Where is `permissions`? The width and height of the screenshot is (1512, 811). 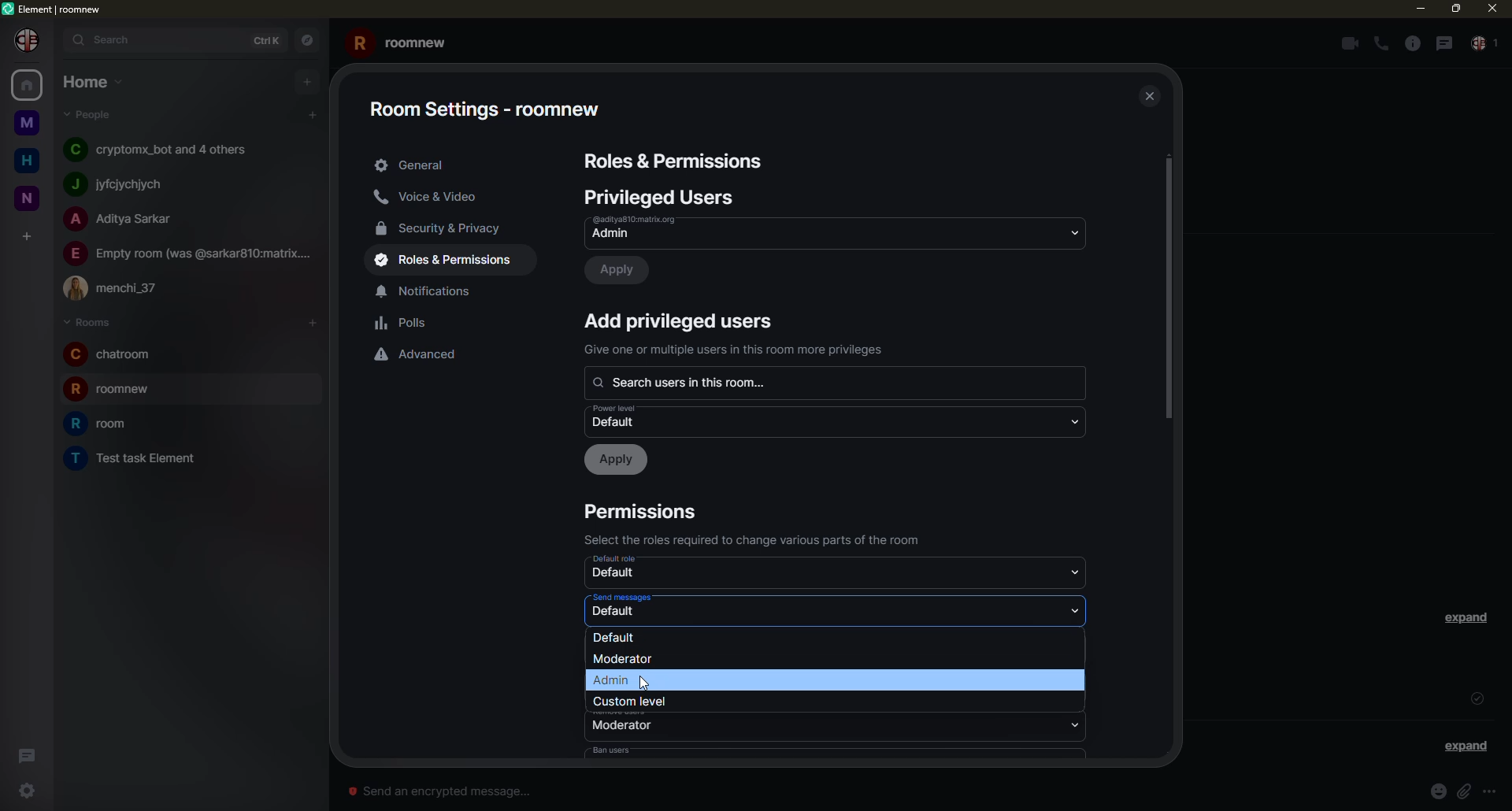
permissions is located at coordinates (645, 512).